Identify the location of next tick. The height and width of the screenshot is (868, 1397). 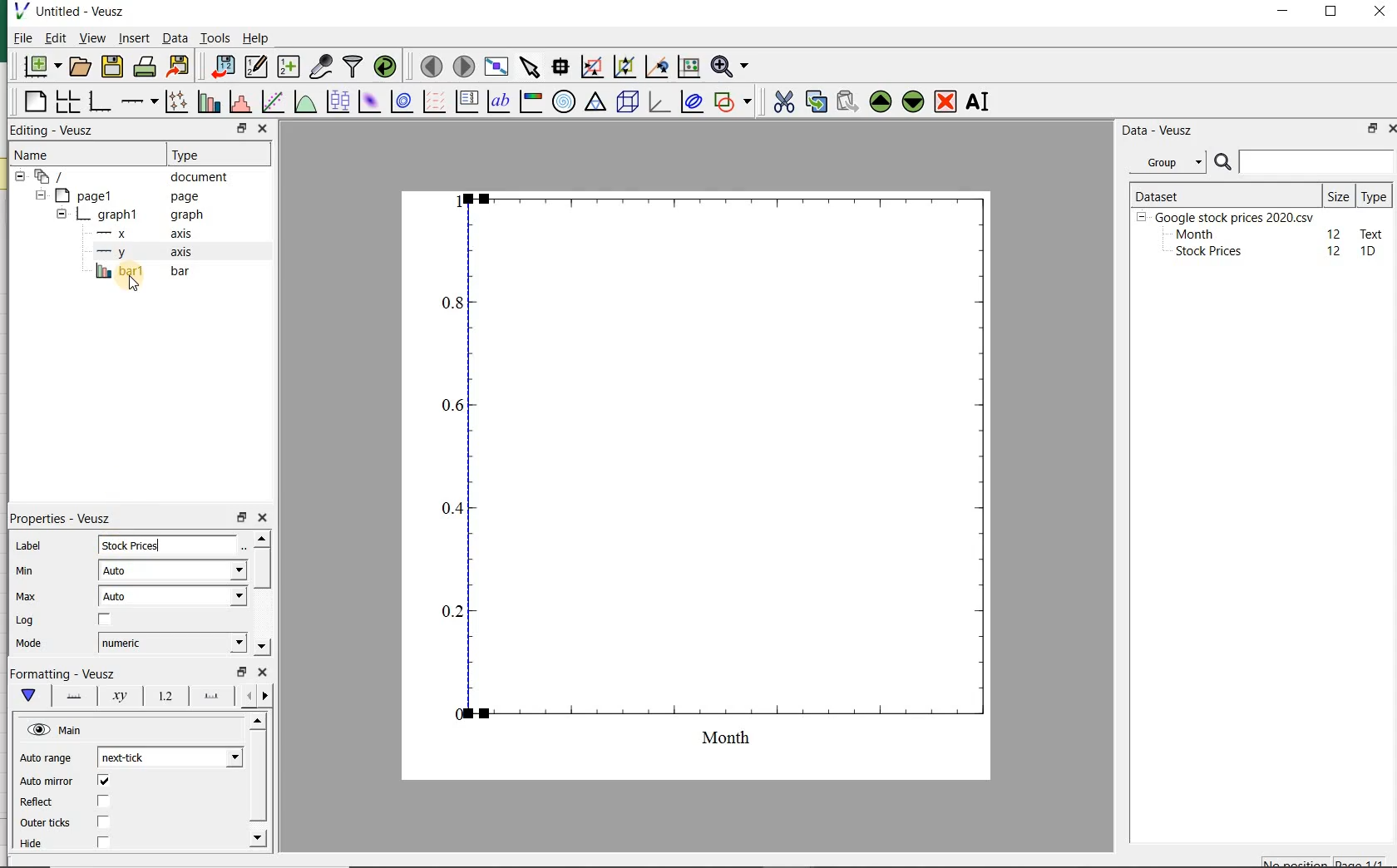
(167, 757).